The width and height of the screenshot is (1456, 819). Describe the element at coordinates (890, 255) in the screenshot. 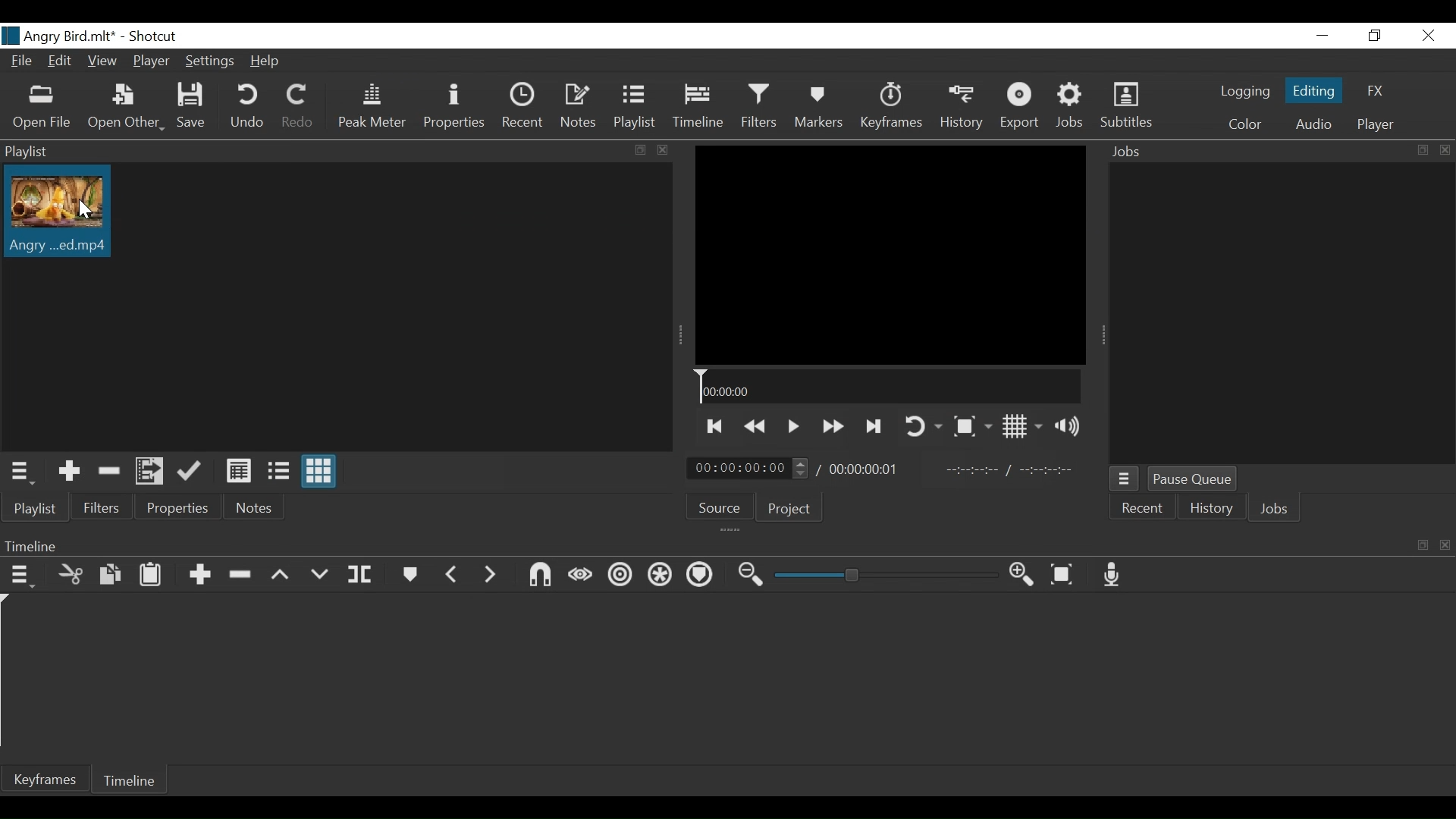

I see `Media Viewer` at that location.